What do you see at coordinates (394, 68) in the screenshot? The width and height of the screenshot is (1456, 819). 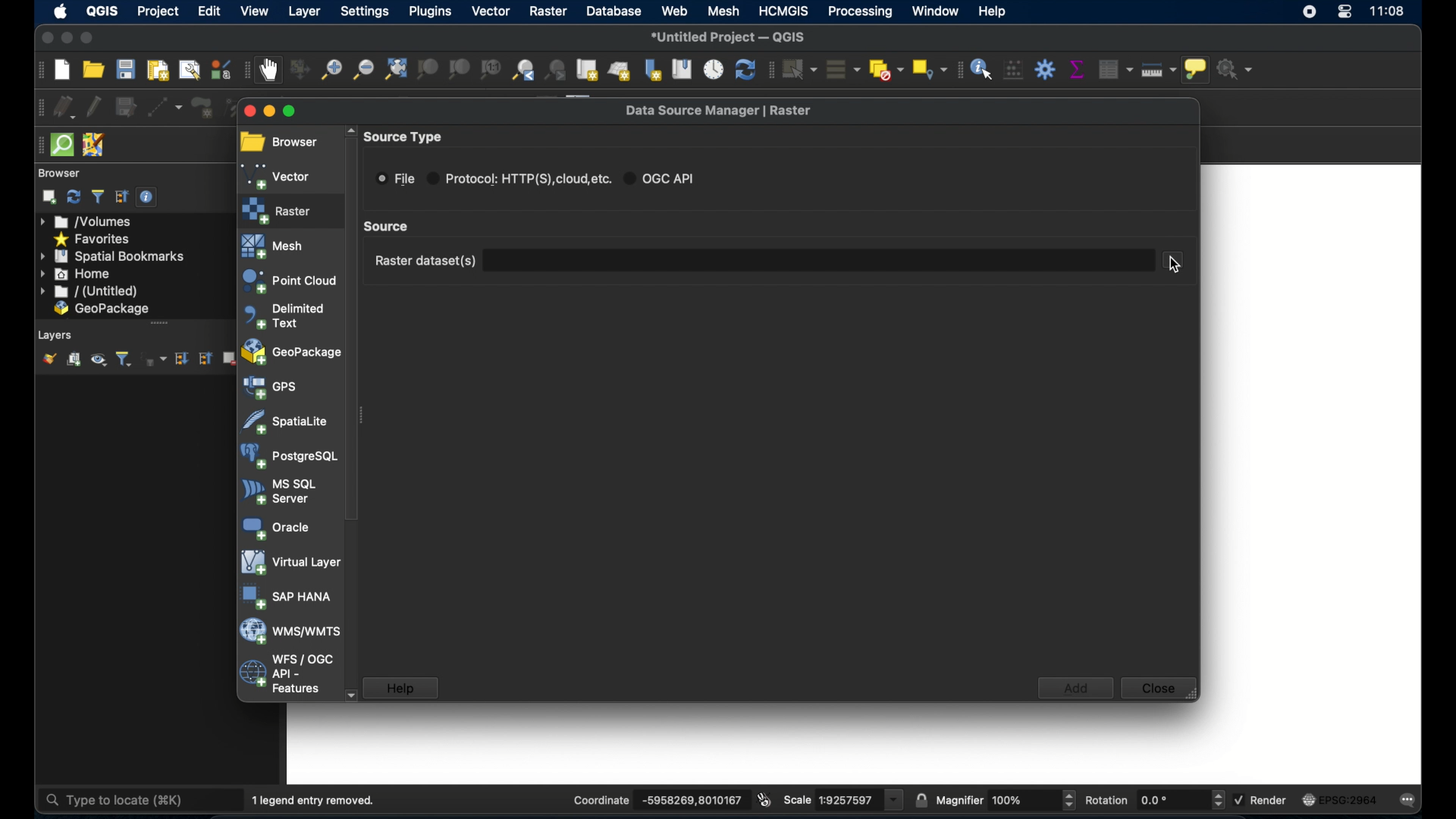 I see `zoom full` at bounding box center [394, 68].